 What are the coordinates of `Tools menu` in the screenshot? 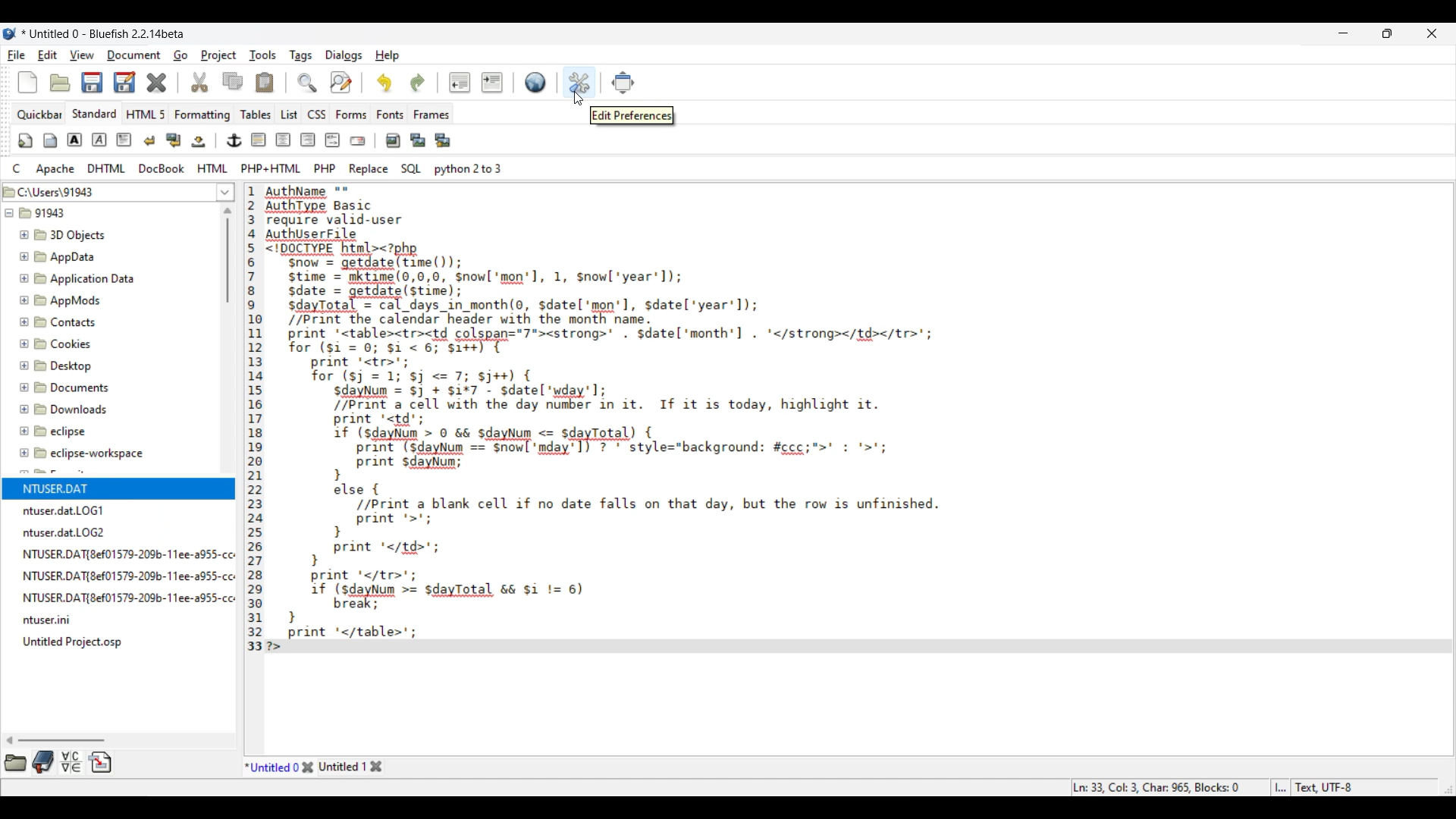 It's located at (263, 55).